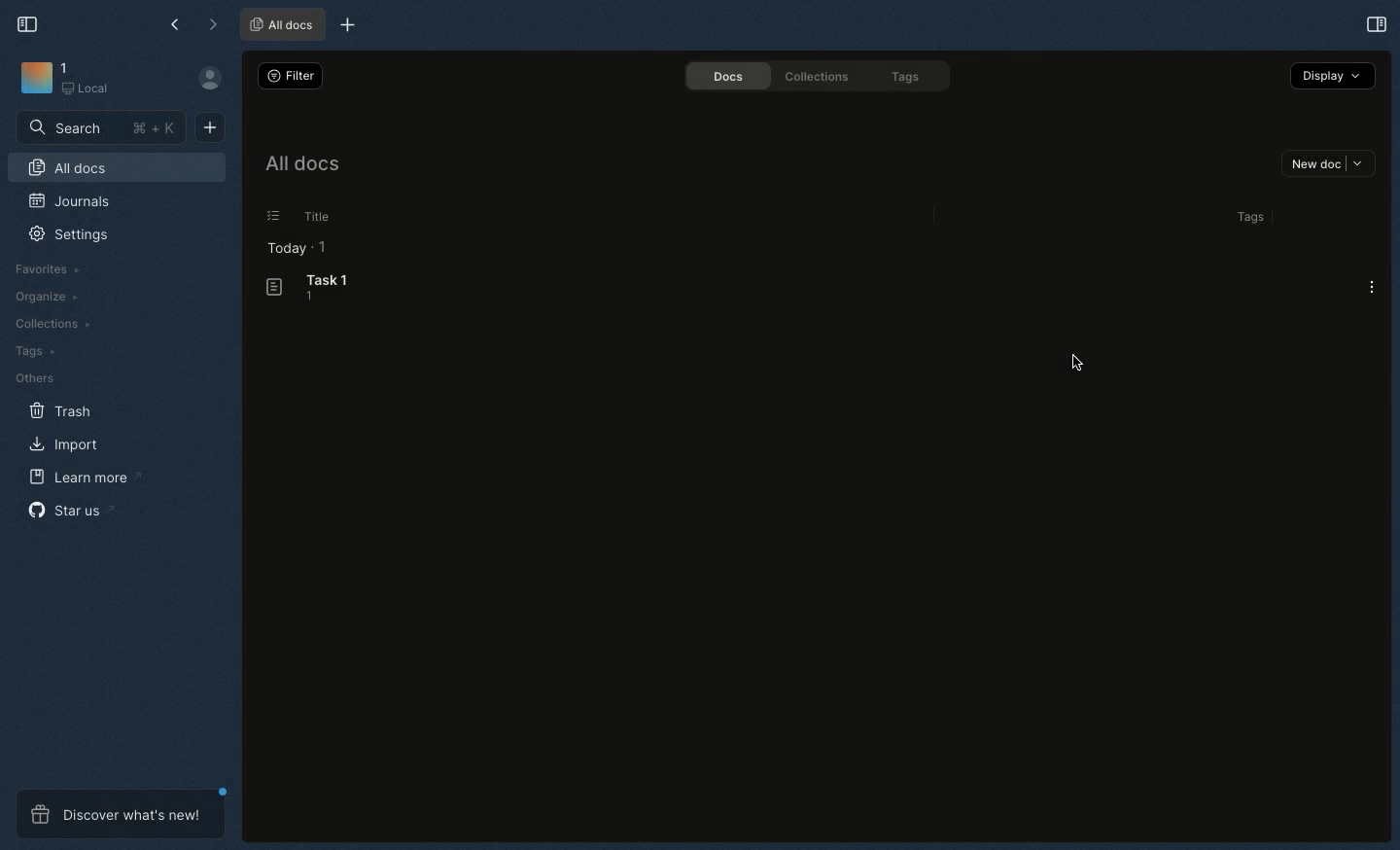 The image size is (1400, 850). I want to click on Left arrow, so click(177, 22).